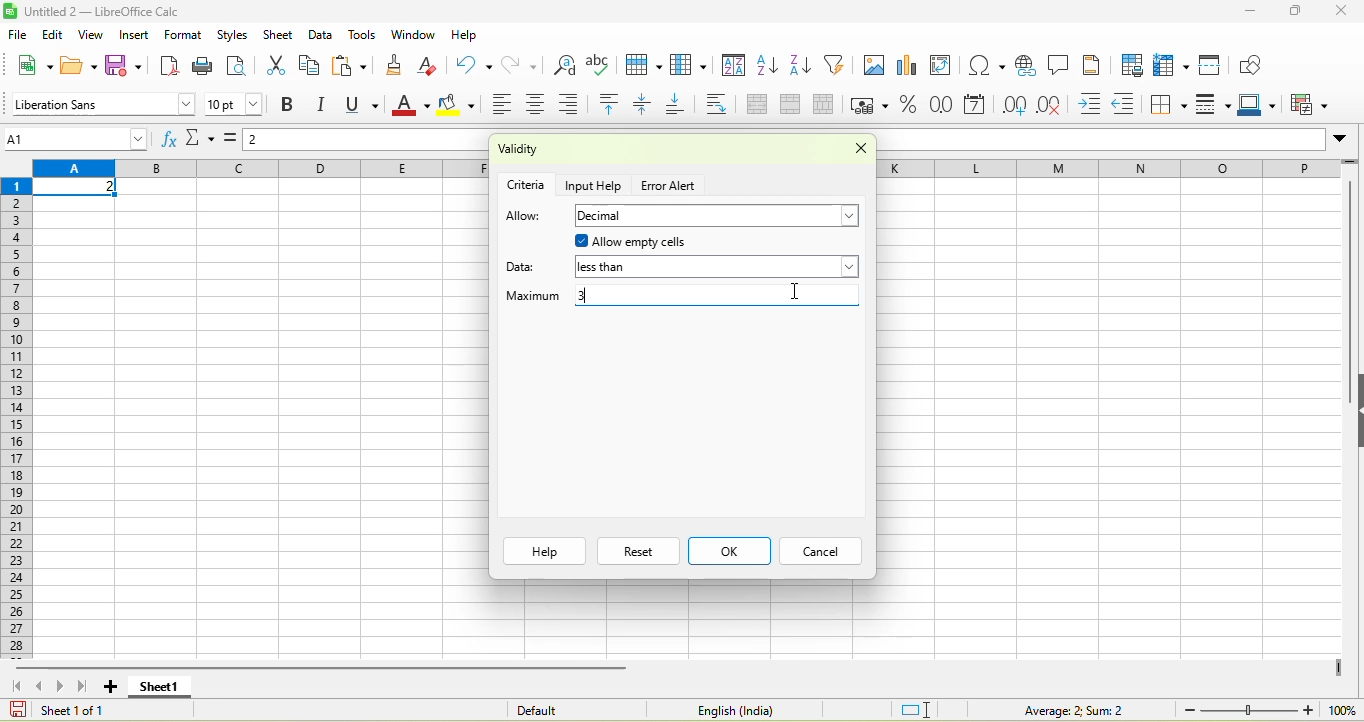  Describe the element at coordinates (1339, 668) in the screenshot. I see `drag to view more columns` at that location.